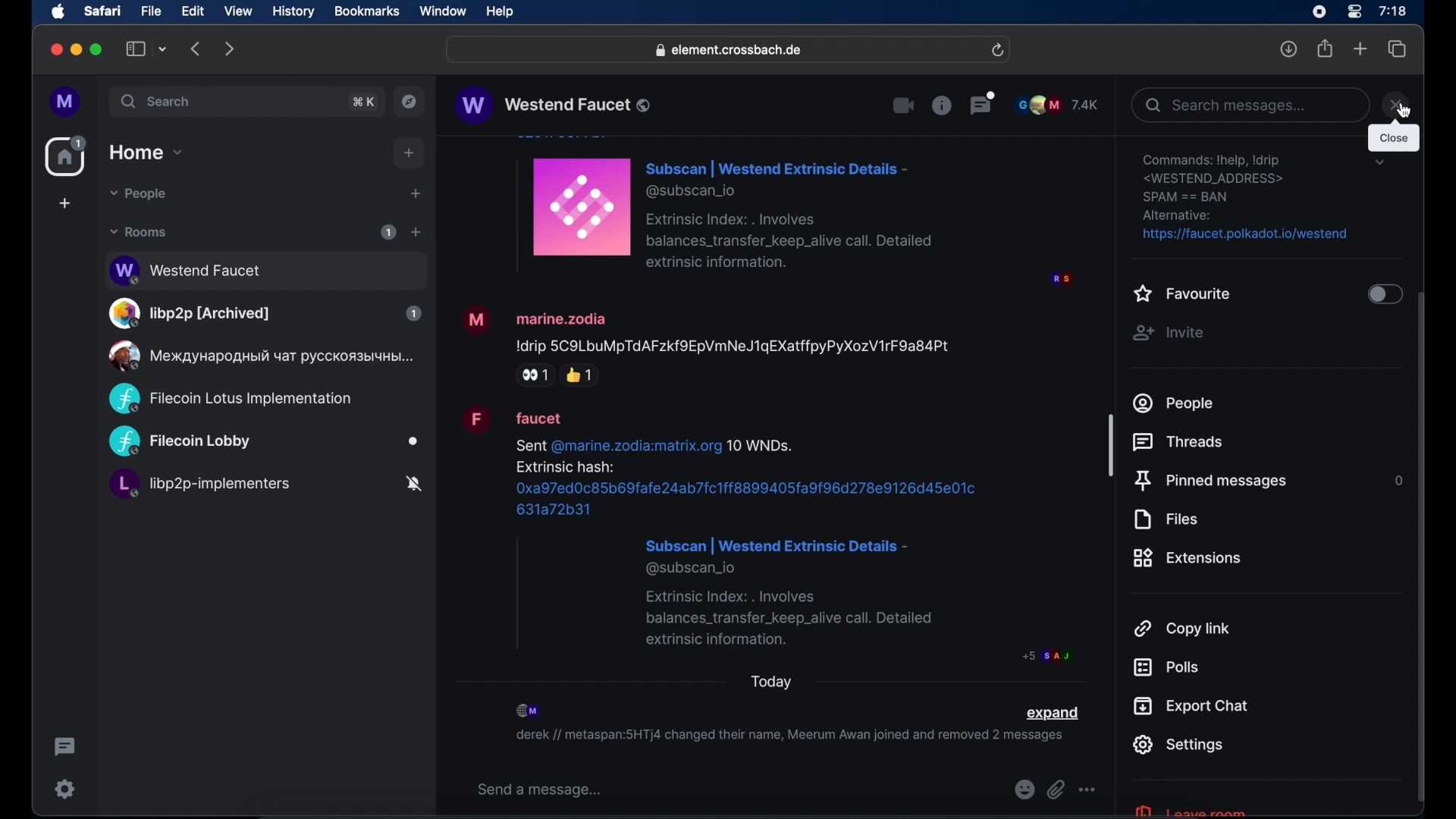 This screenshot has height=819, width=1456. Describe the element at coordinates (1175, 403) in the screenshot. I see `people` at that location.